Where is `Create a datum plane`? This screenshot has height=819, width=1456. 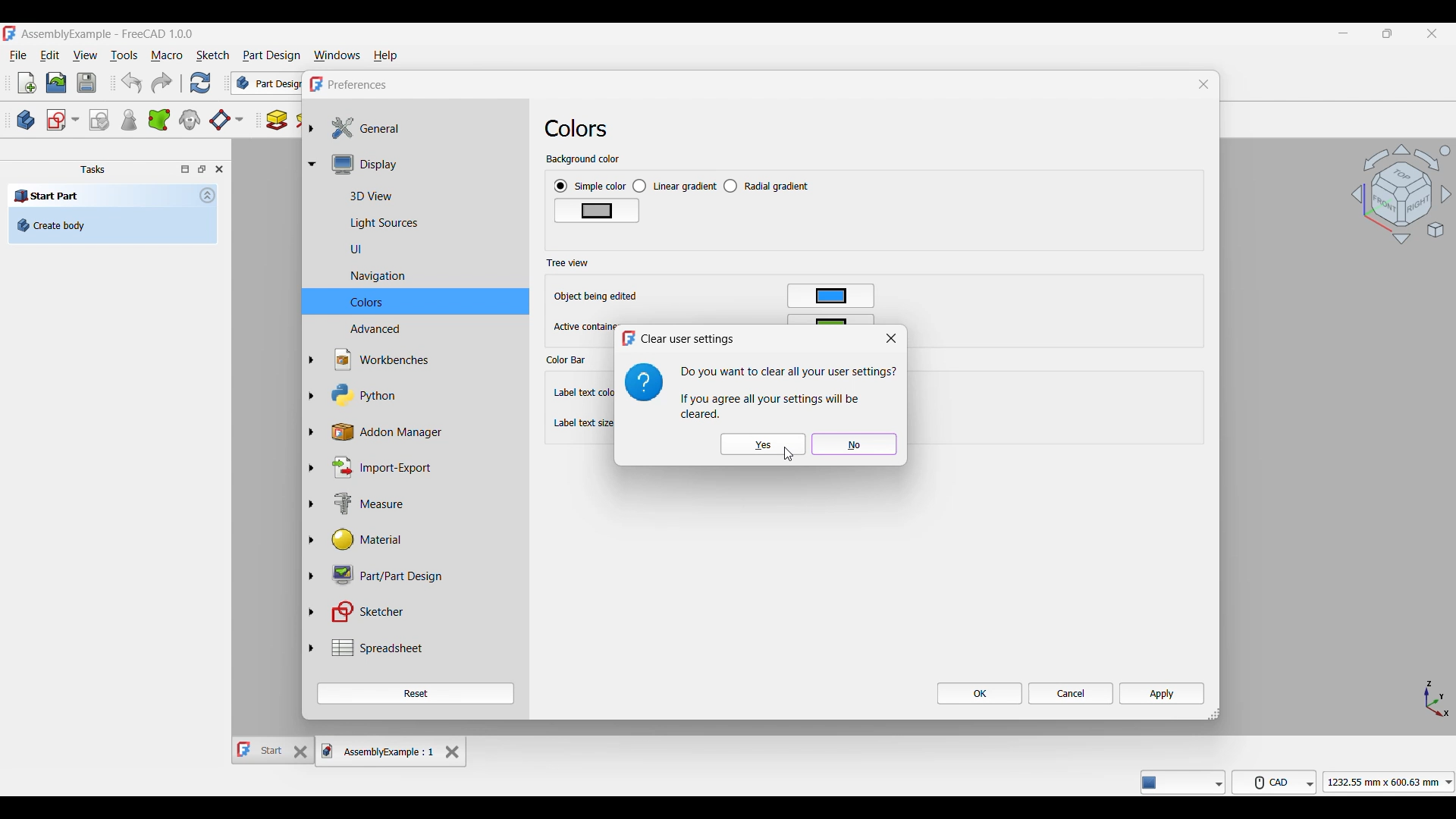 Create a datum plane is located at coordinates (226, 121).